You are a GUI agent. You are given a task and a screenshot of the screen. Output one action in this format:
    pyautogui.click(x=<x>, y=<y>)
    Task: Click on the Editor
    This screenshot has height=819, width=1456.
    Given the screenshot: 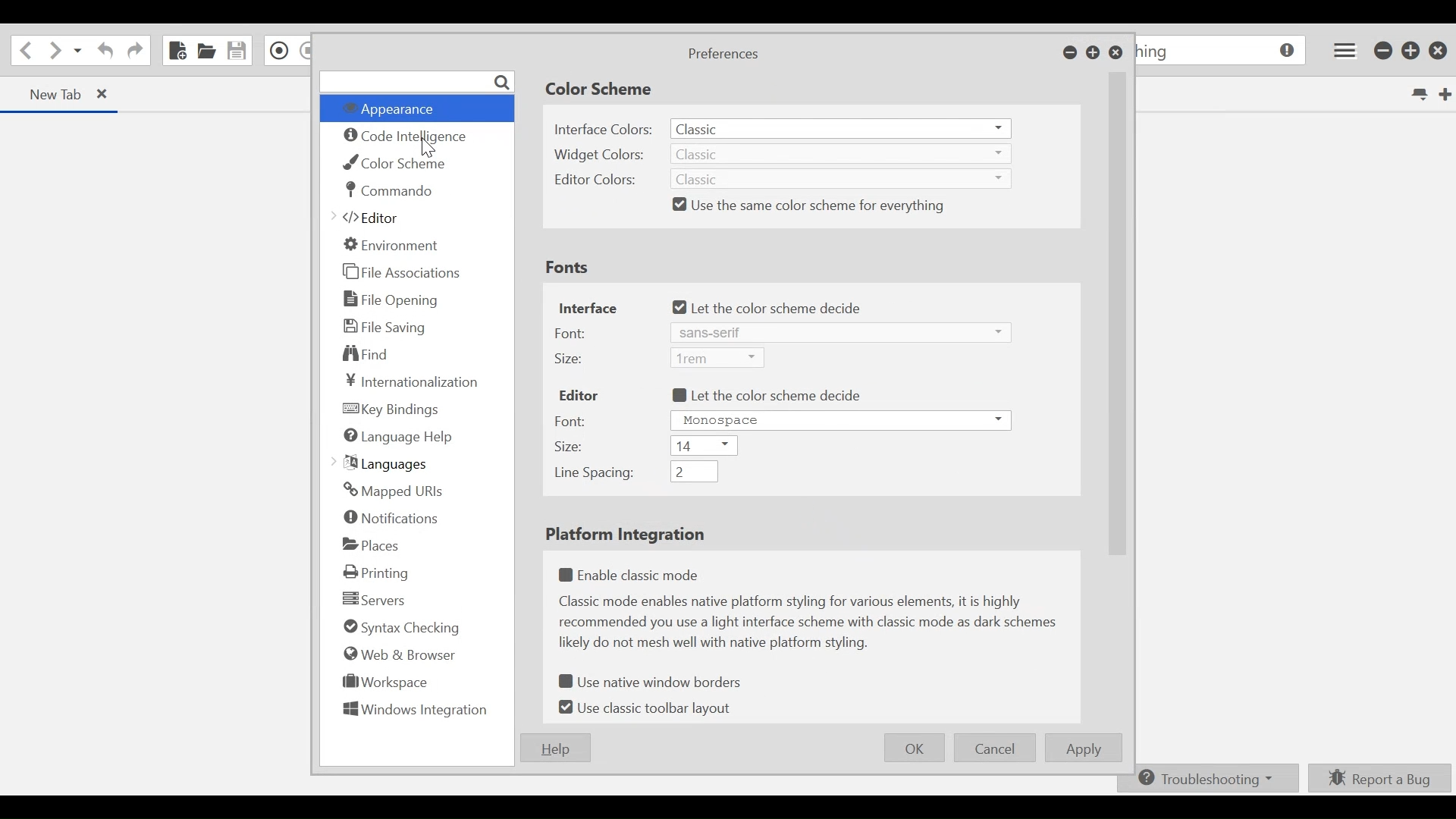 What is the action you would take?
    pyautogui.click(x=372, y=219)
    